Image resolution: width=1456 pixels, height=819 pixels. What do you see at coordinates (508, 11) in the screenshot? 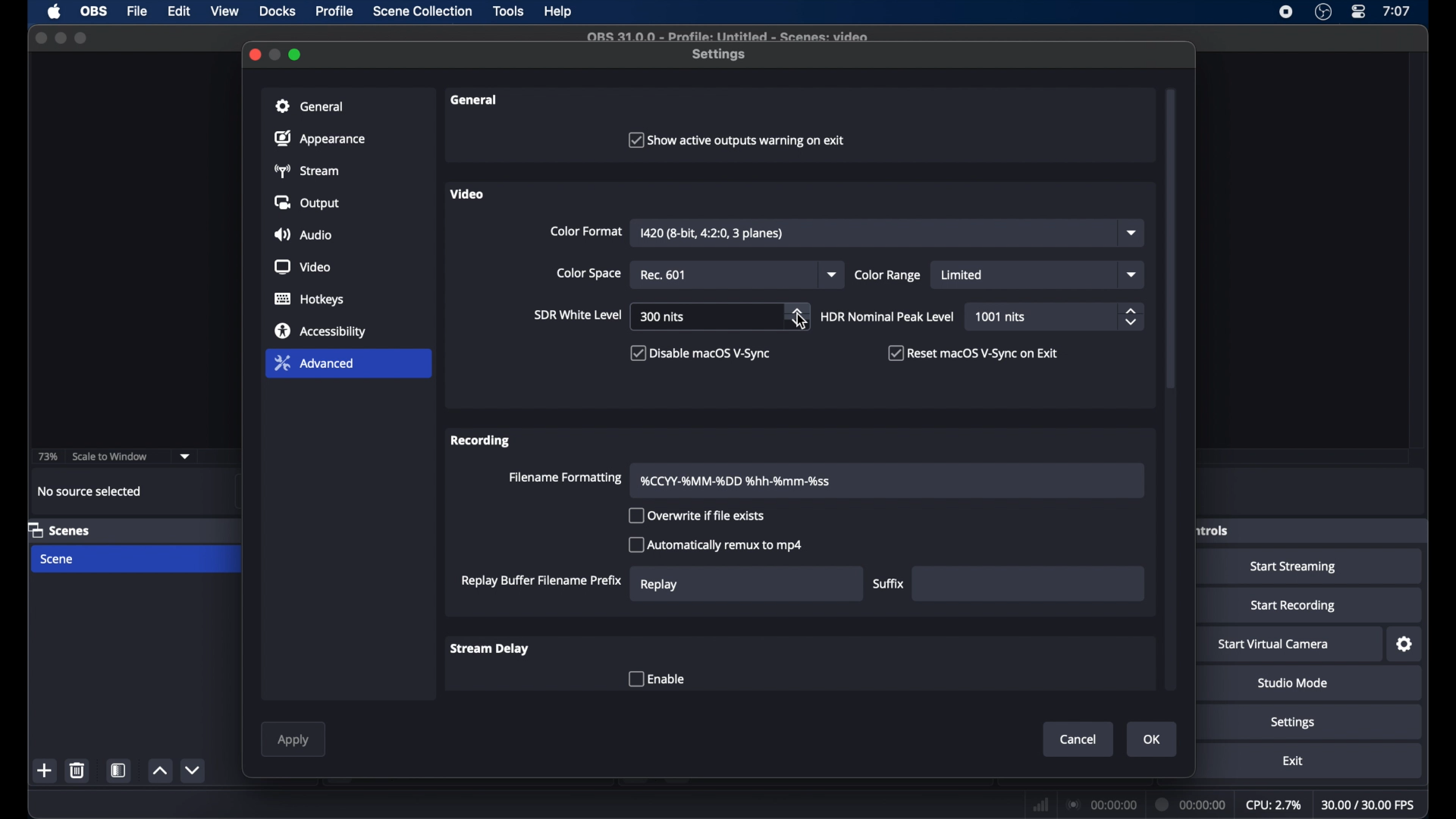
I see `tools` at bounding box center [508, 11].